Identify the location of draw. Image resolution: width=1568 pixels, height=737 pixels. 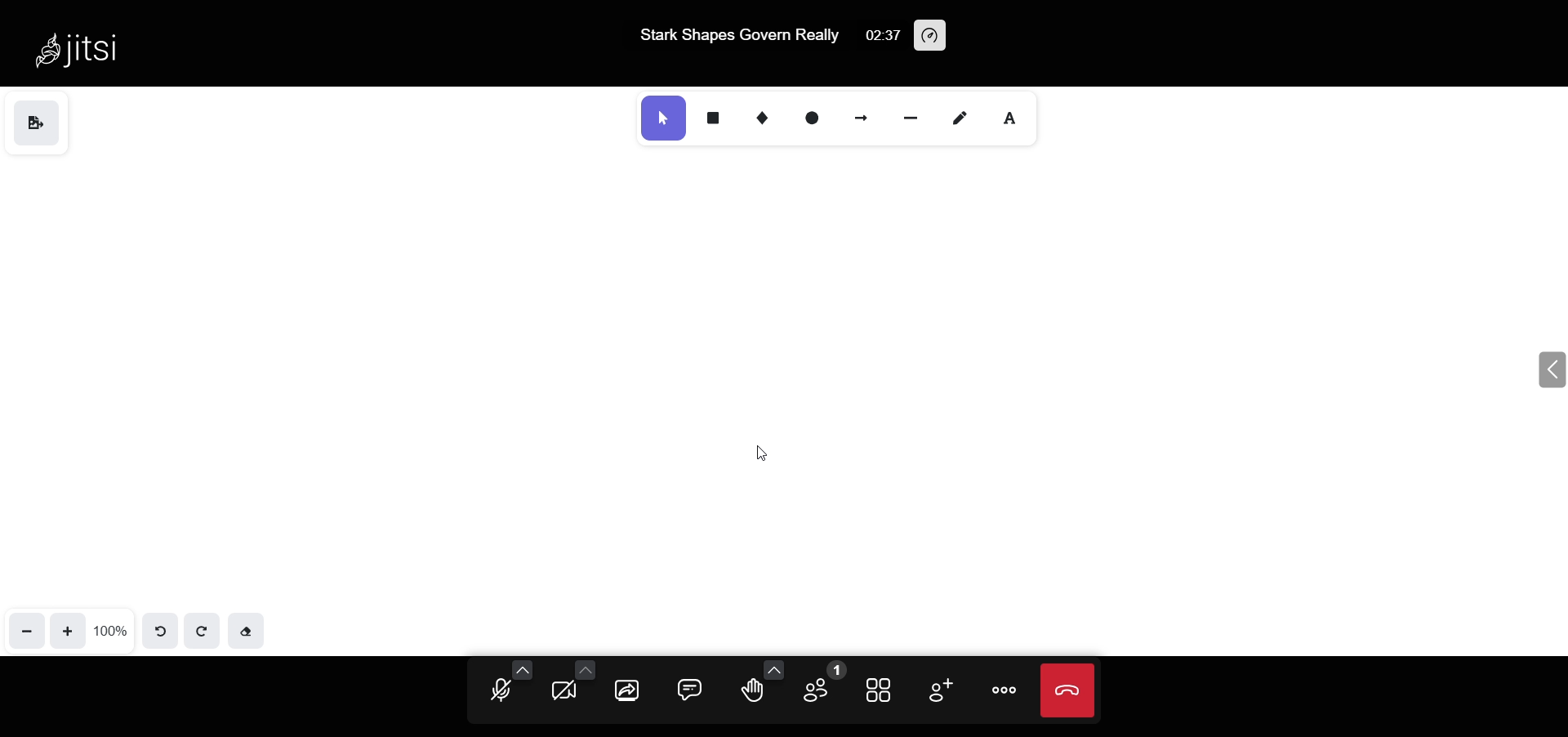
(960, 119).